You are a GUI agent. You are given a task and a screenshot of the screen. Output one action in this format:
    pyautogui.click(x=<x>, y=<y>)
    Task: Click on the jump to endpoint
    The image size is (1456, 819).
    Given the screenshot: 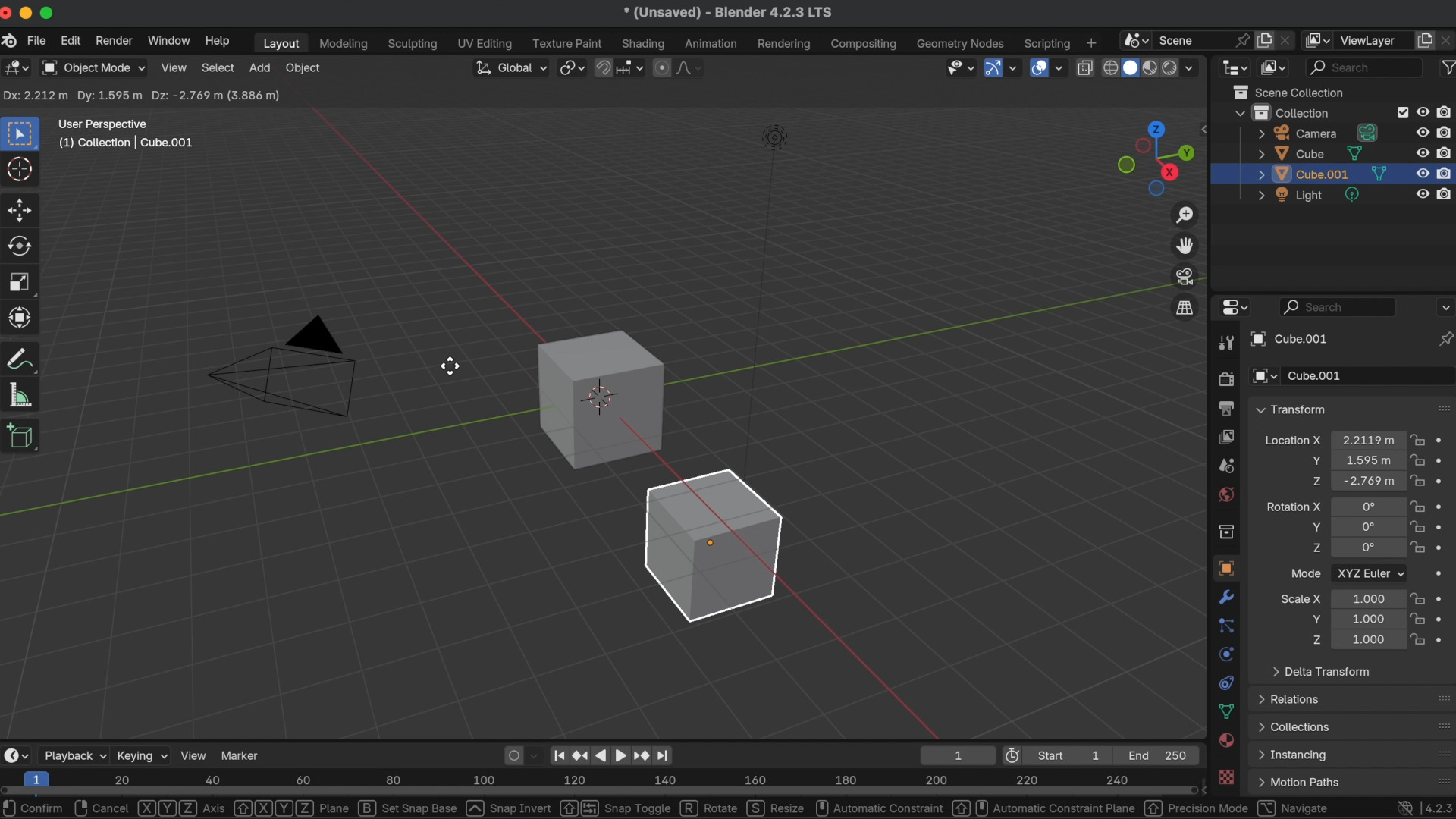 What is the action you would take?
    pyautogui.click(x=669, y=755)
    